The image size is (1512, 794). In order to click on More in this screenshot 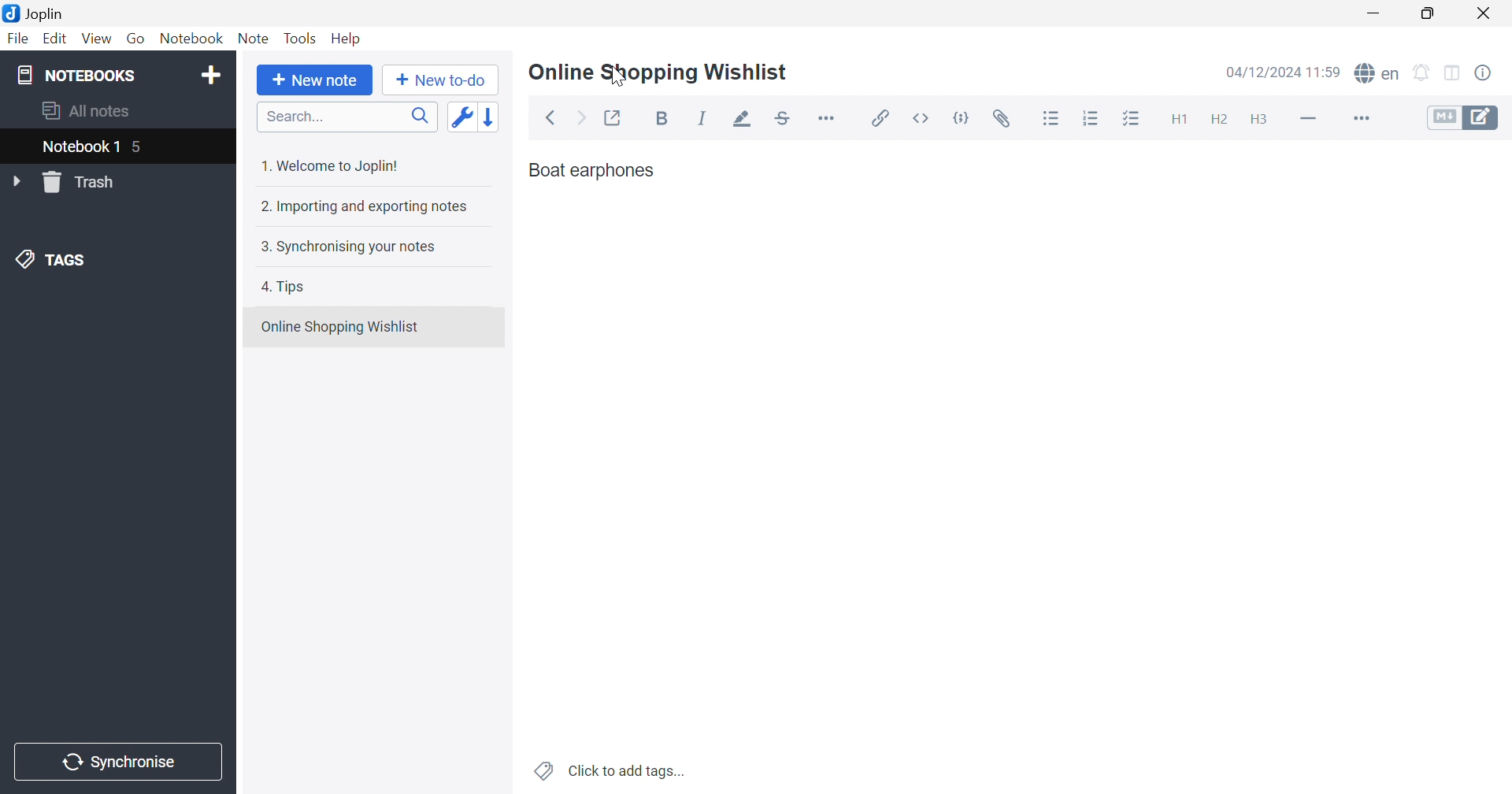, I will do `click(1364, 118)`.